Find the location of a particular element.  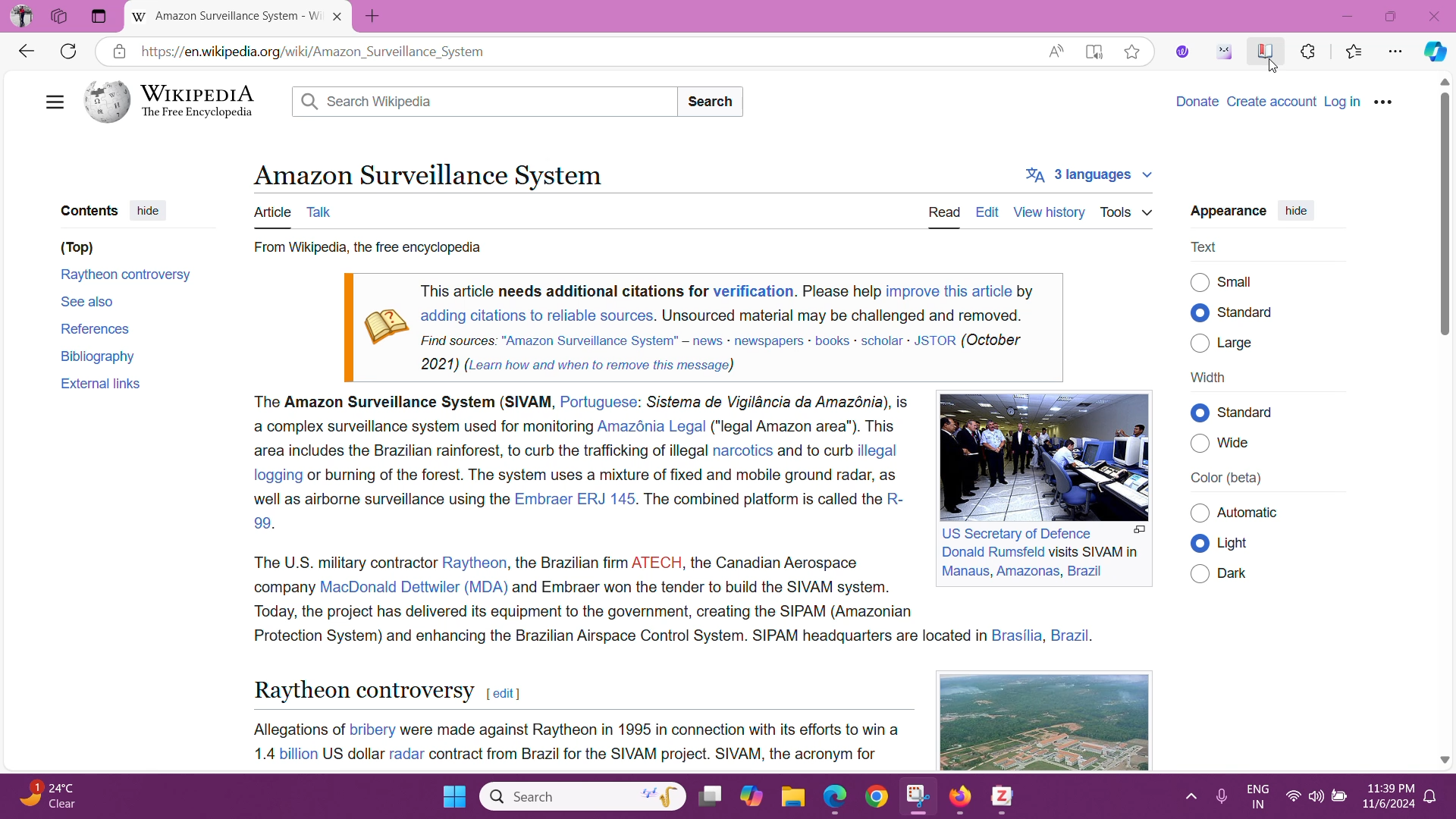

Find sources: is located at coordinates (459, 339).